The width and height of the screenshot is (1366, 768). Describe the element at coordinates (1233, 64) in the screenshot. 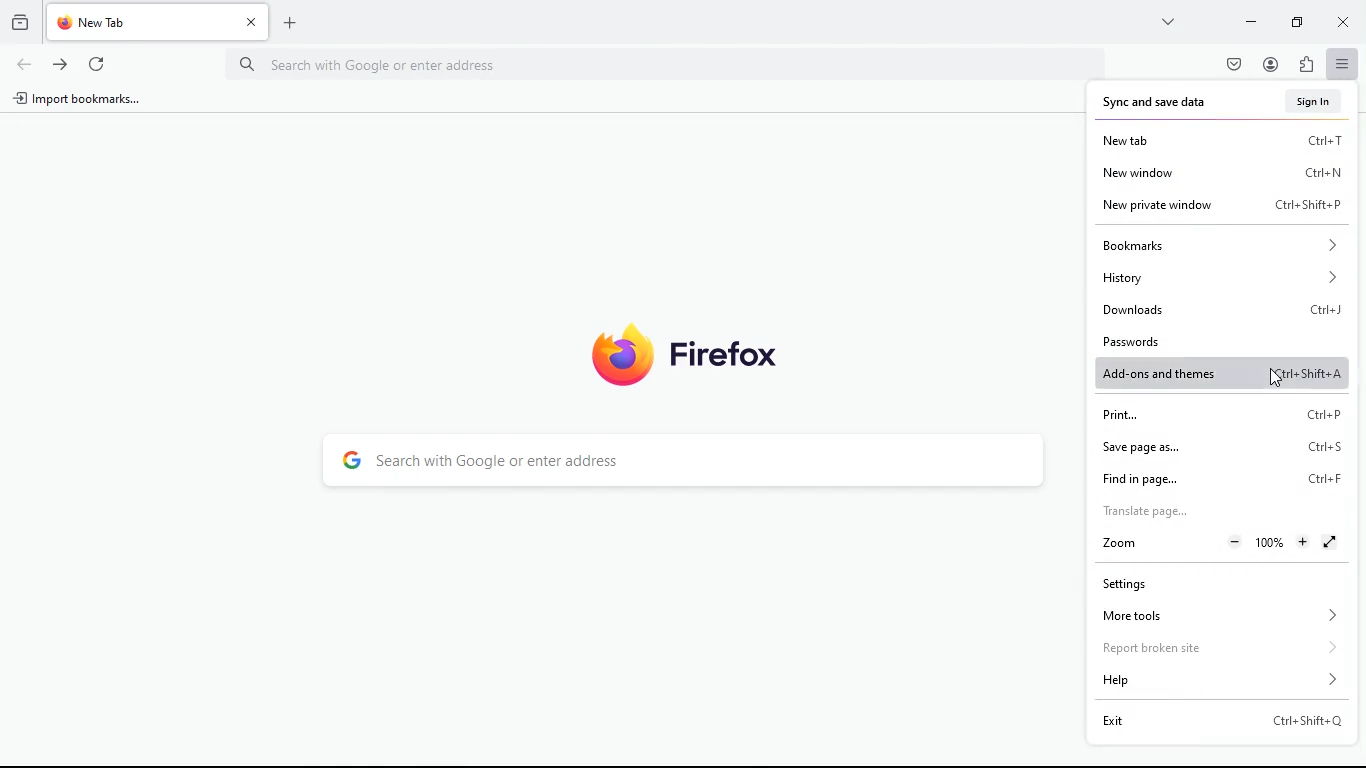

I see `pocket` at that location.